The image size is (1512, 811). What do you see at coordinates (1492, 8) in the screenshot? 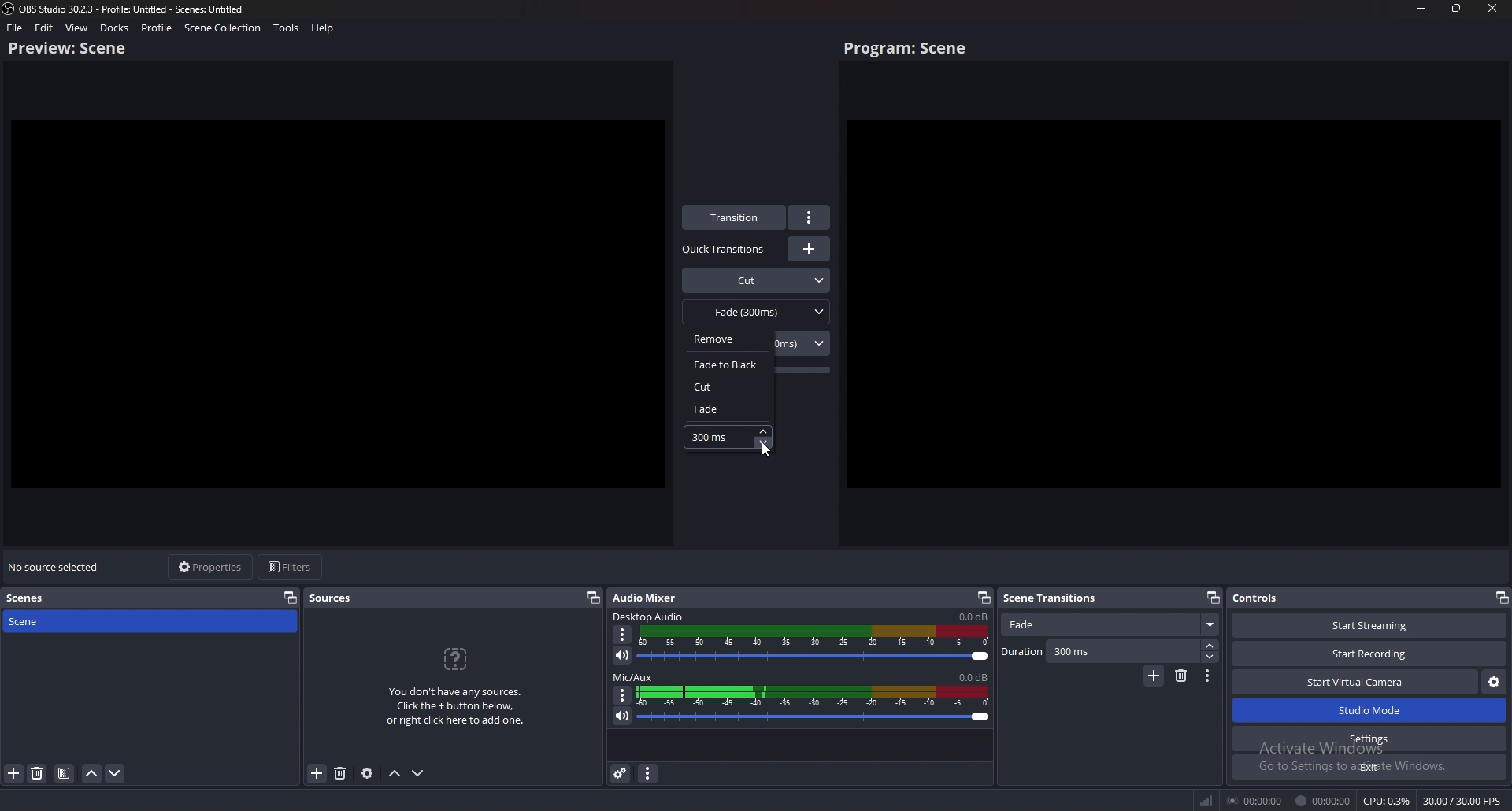
I see `close` at bounding box center [1492, 8].